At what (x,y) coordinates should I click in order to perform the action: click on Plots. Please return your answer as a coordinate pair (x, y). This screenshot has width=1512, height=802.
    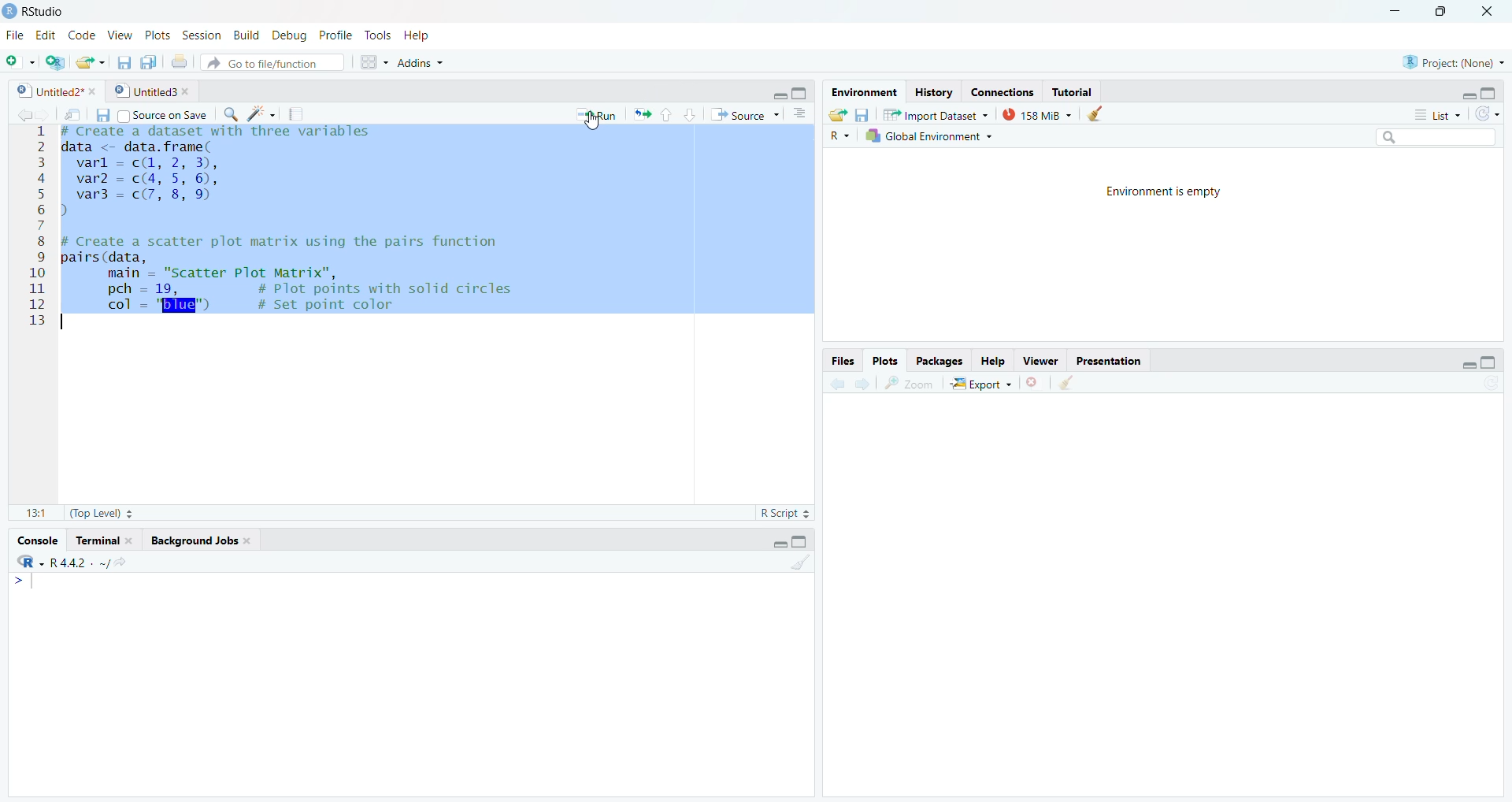
    Looking at the image, I should click on (888, 360).